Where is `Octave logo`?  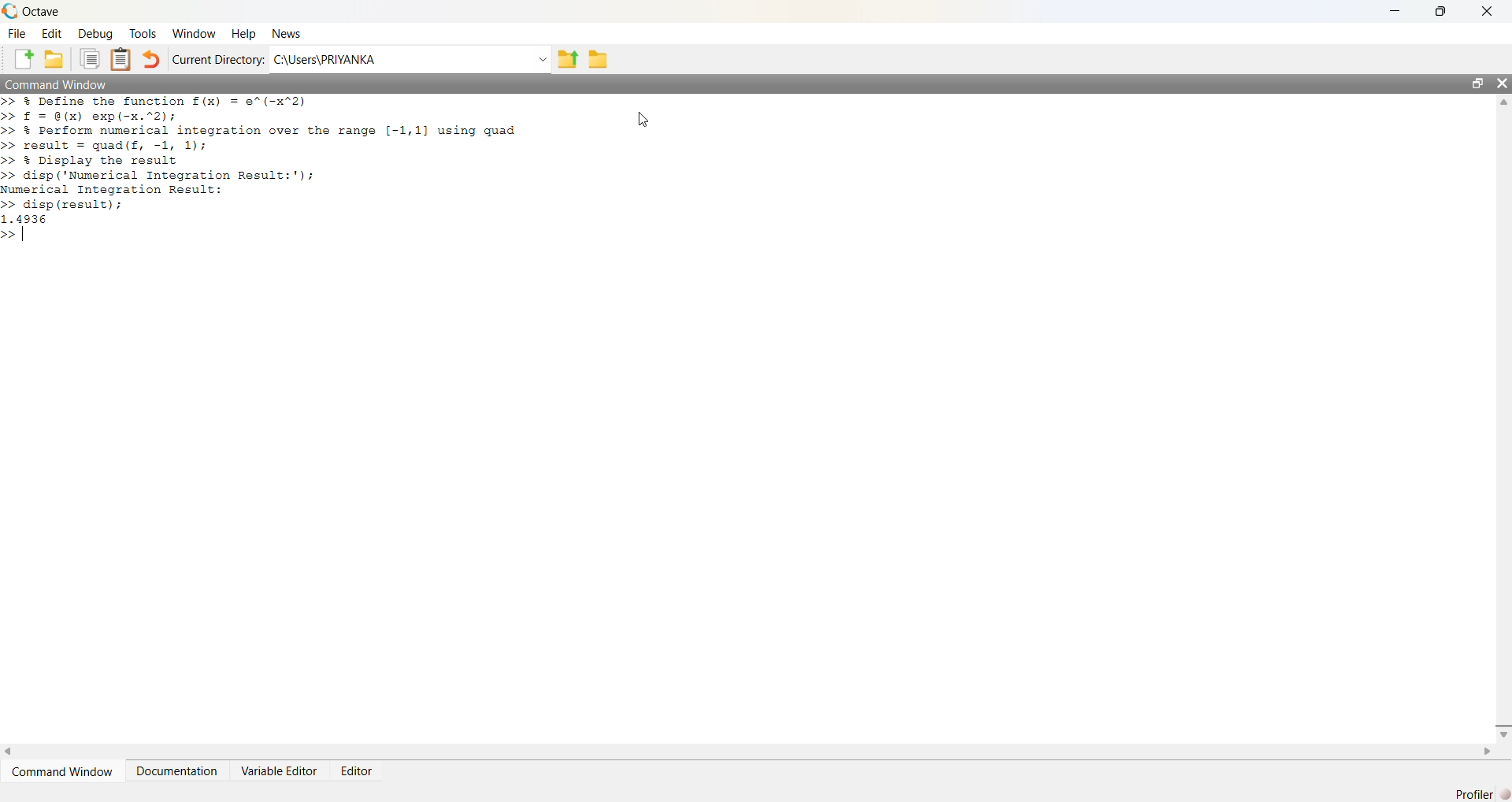 Octave logo is located at coordinates (9, 10).